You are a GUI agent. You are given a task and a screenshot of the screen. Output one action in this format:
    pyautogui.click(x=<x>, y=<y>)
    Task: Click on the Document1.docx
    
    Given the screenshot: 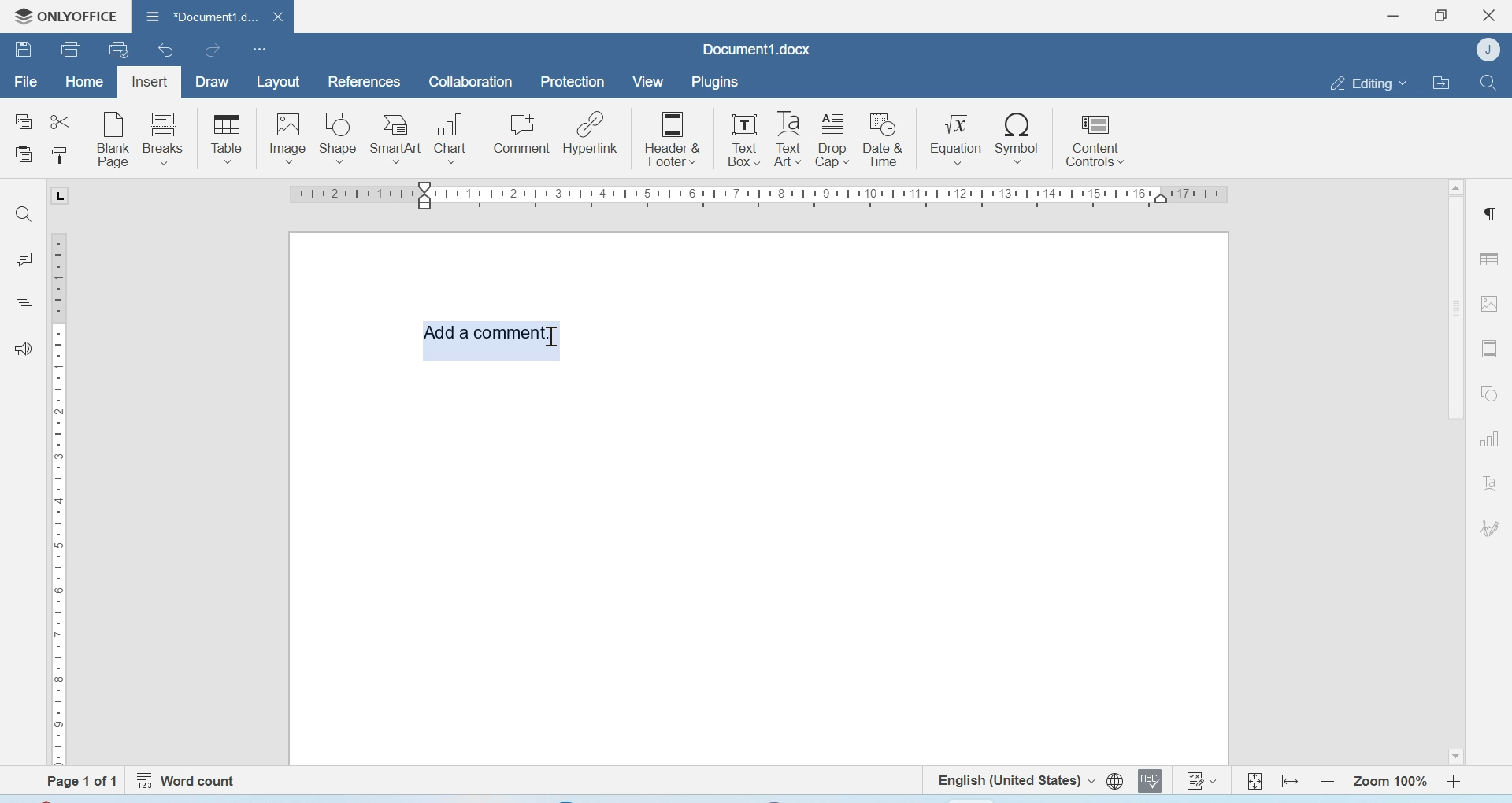 What is the action you would take?
    pyautogui.click(x=198, y=13)
    